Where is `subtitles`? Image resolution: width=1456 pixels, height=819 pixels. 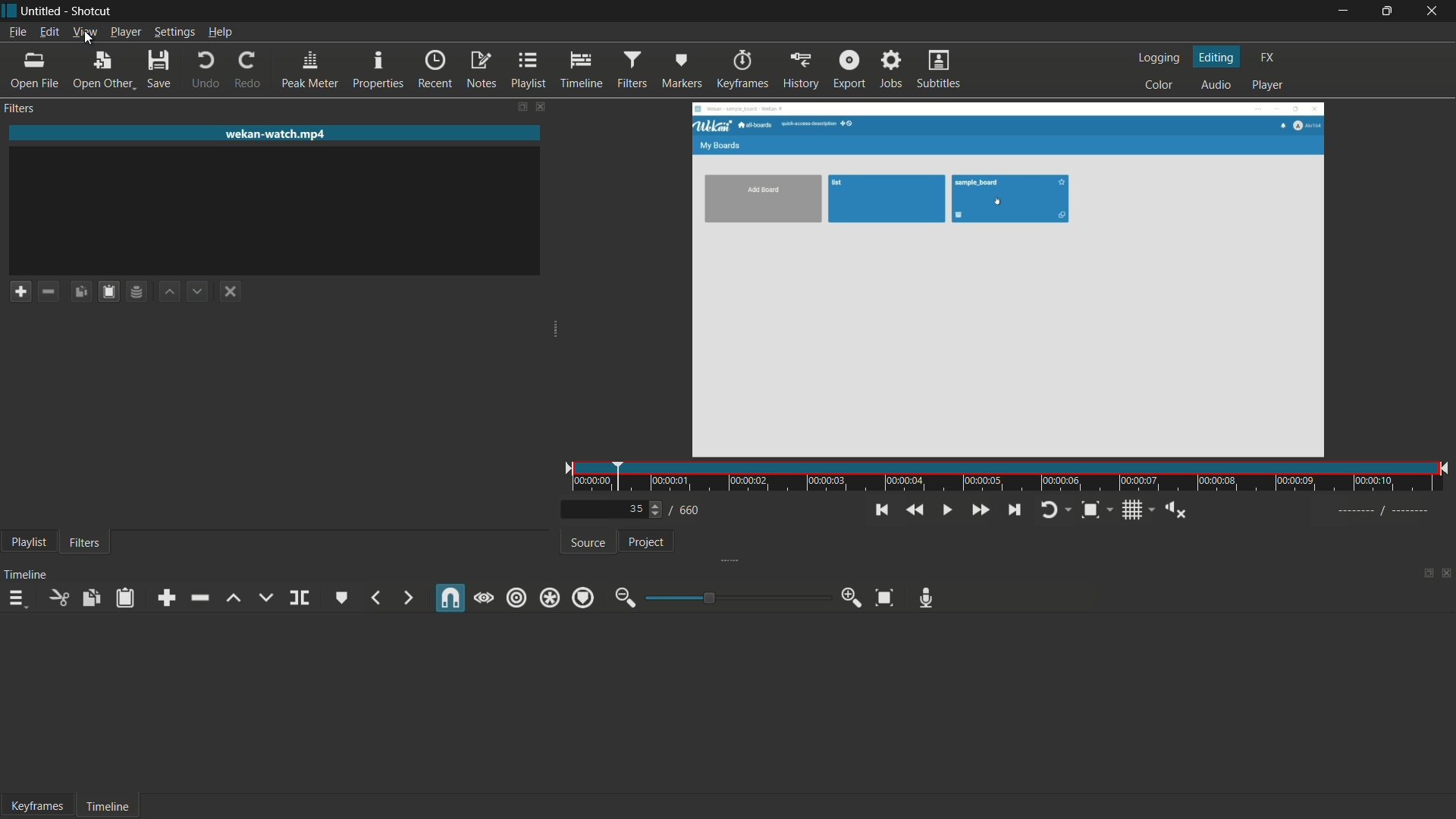 subtitles is located at coordinates (938, 70).